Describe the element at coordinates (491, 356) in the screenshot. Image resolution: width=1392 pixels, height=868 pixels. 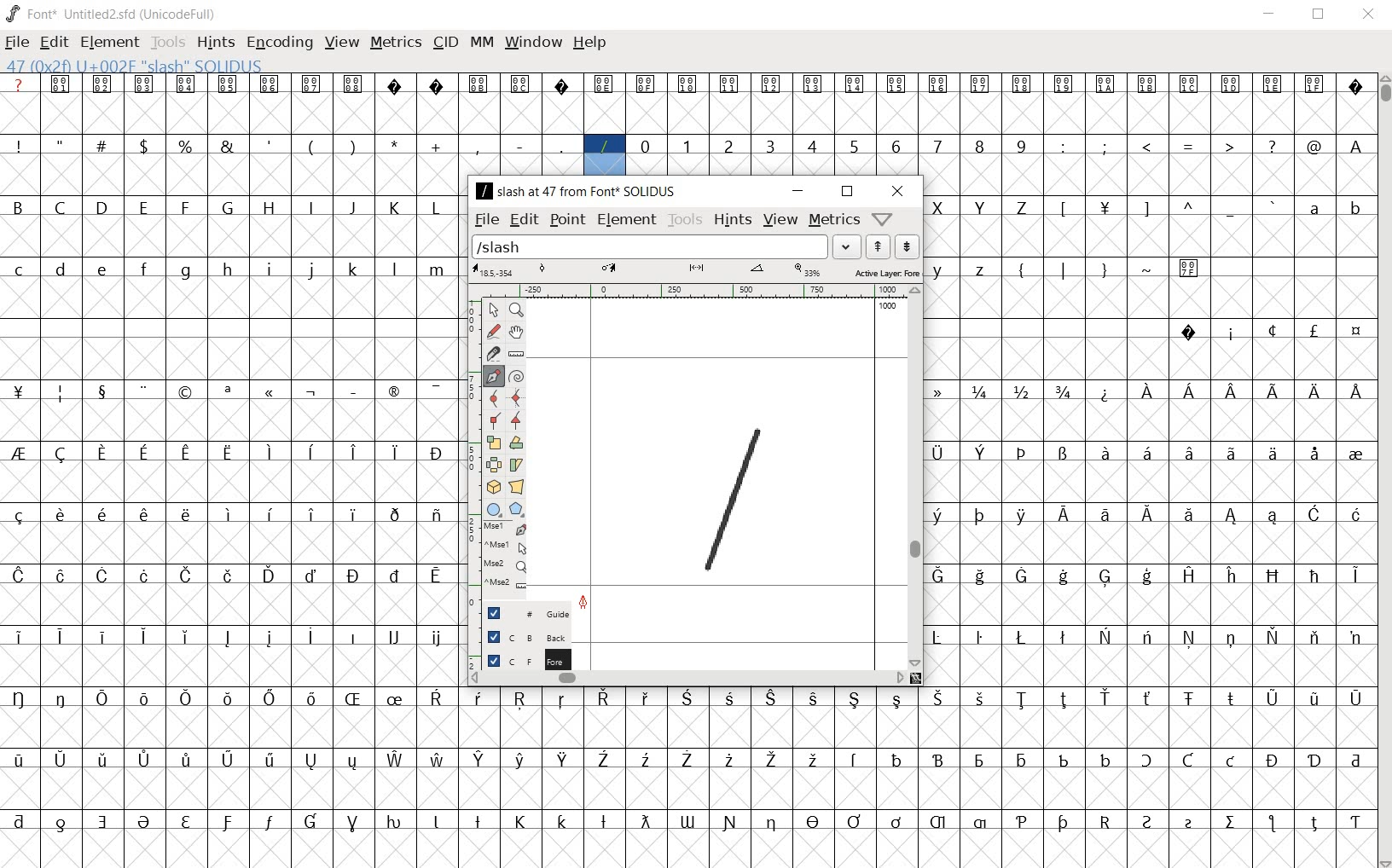
I see `cut splines in two` at that location.